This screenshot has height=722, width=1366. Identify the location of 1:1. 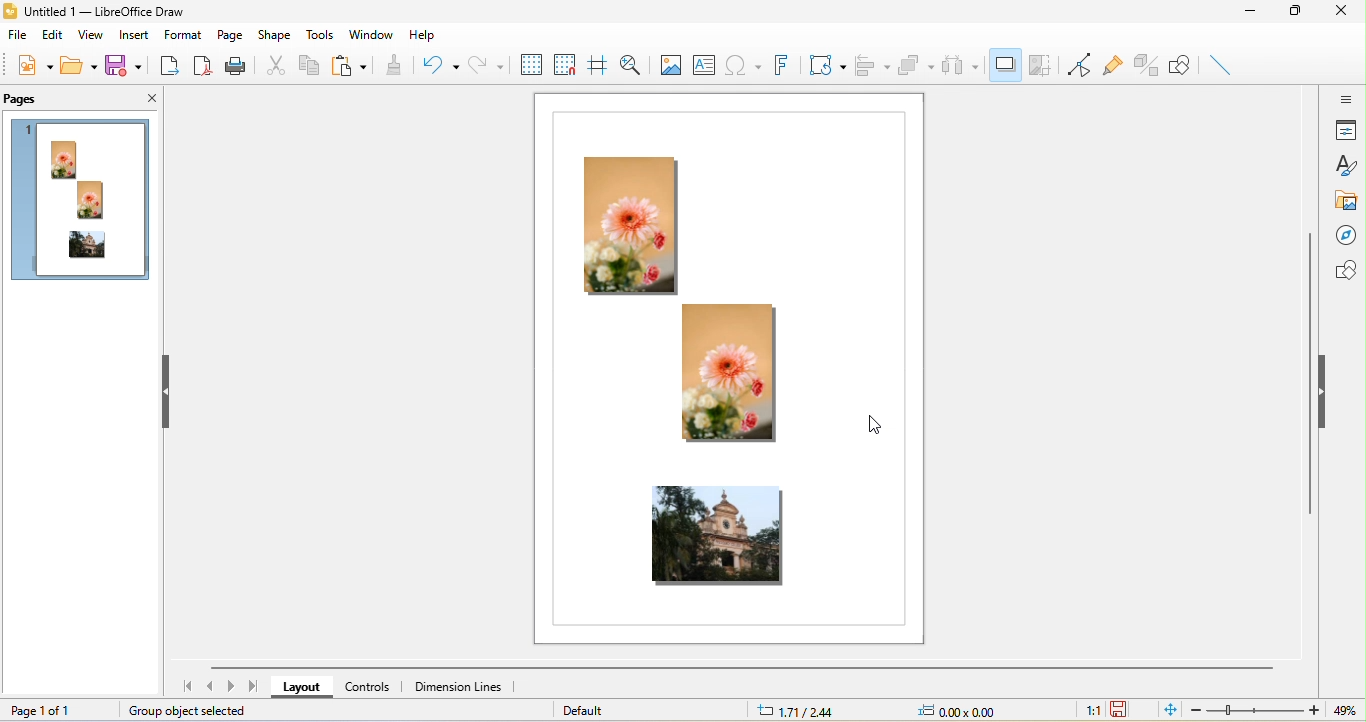
(1086, 710).